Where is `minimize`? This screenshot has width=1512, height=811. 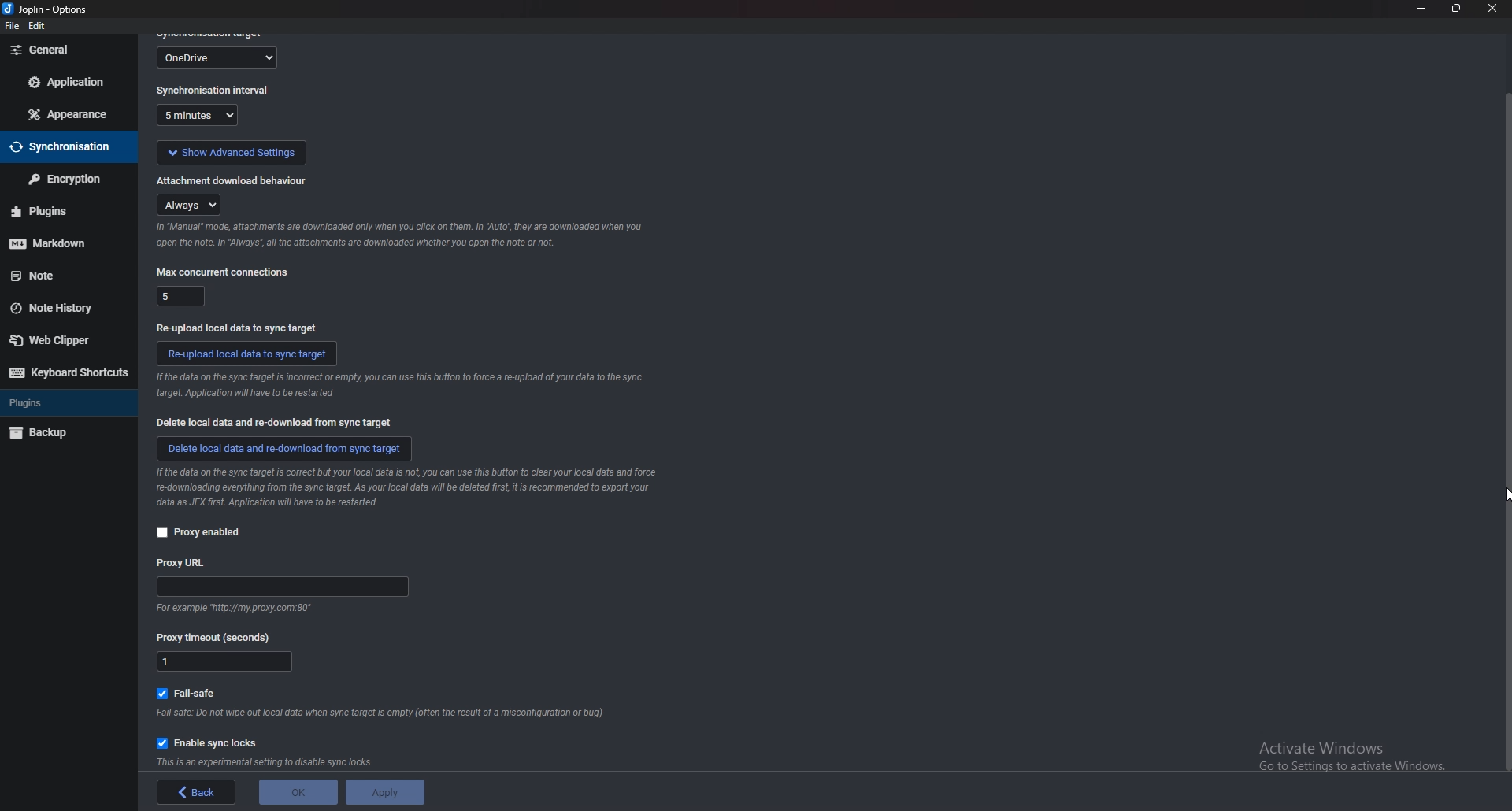 minimize is located at coordinates (1420, 9).